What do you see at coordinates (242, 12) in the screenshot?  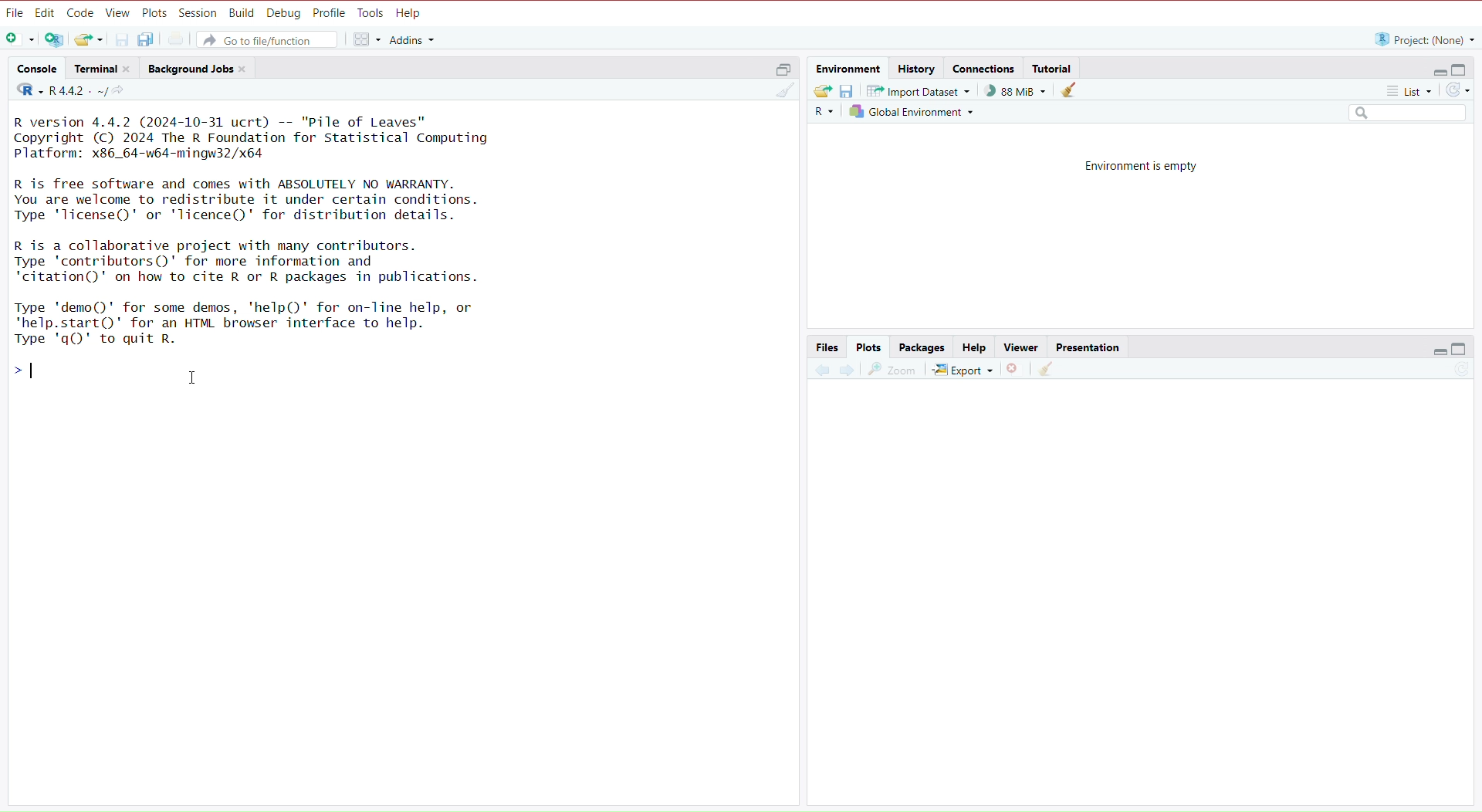 I see `Build` at bounding box center [242, 12].